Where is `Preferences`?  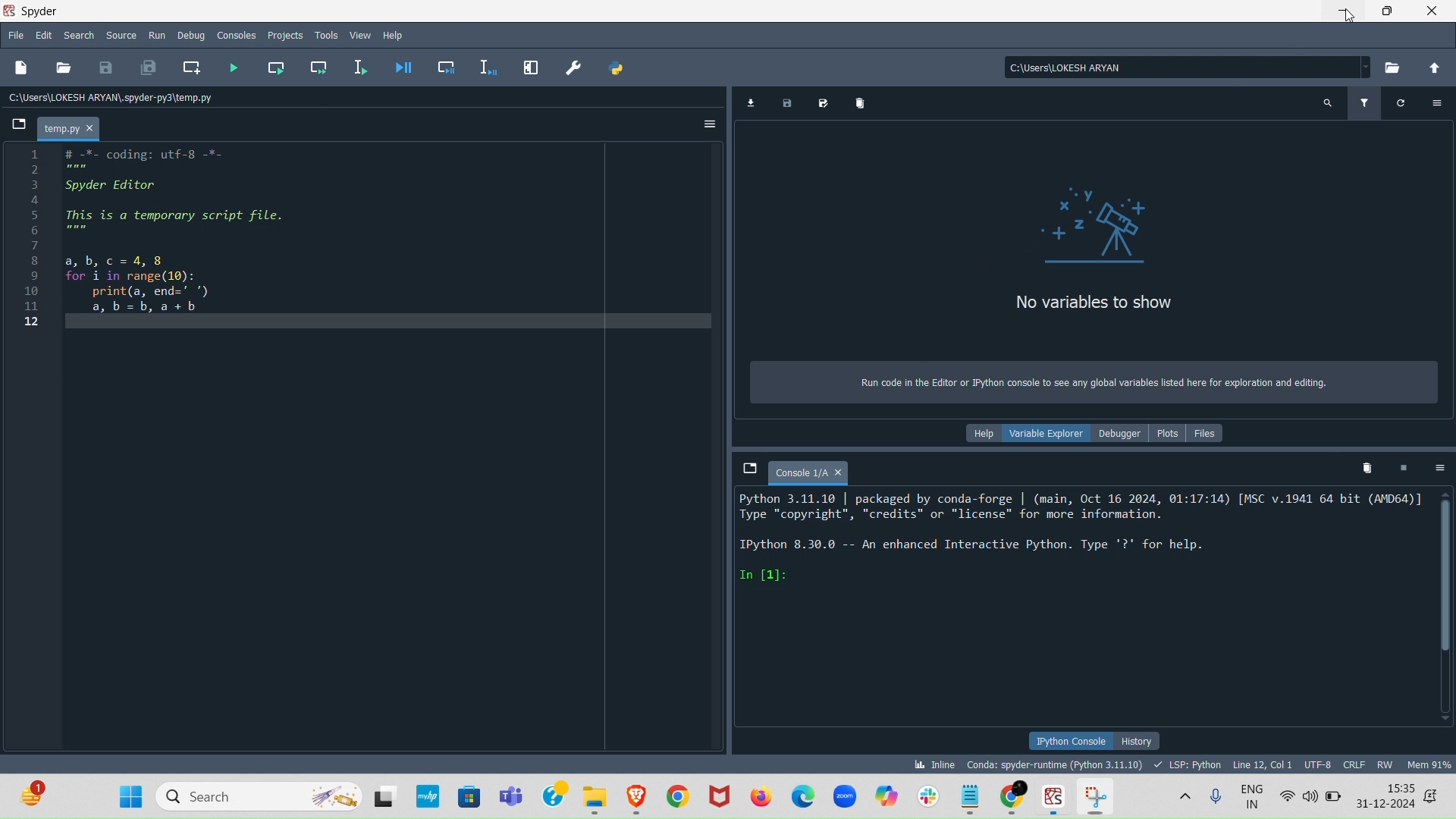 Preferences is located at coordinates (576, 64).